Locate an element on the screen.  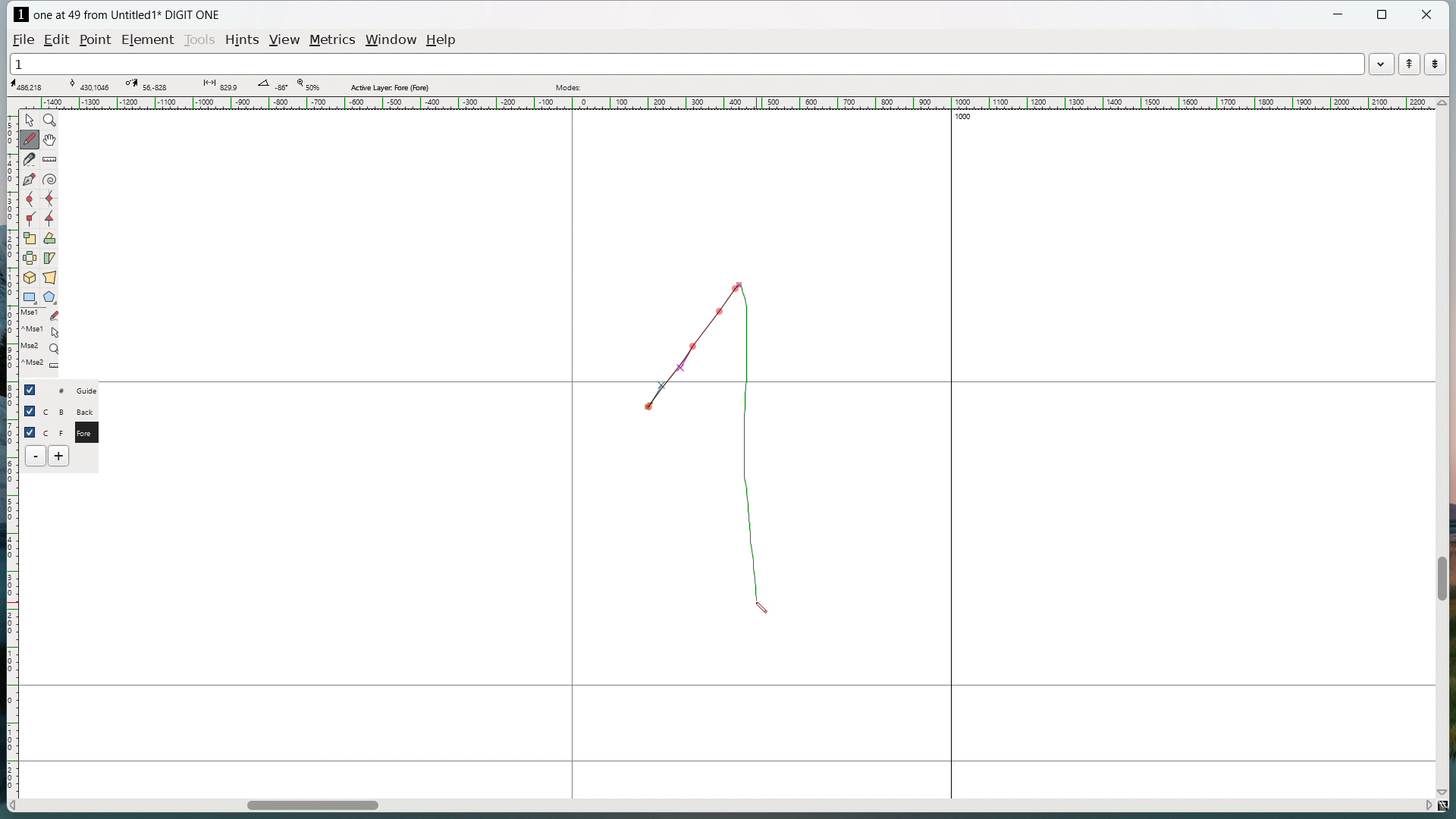
minimize is located at coordinates (1340, 16).